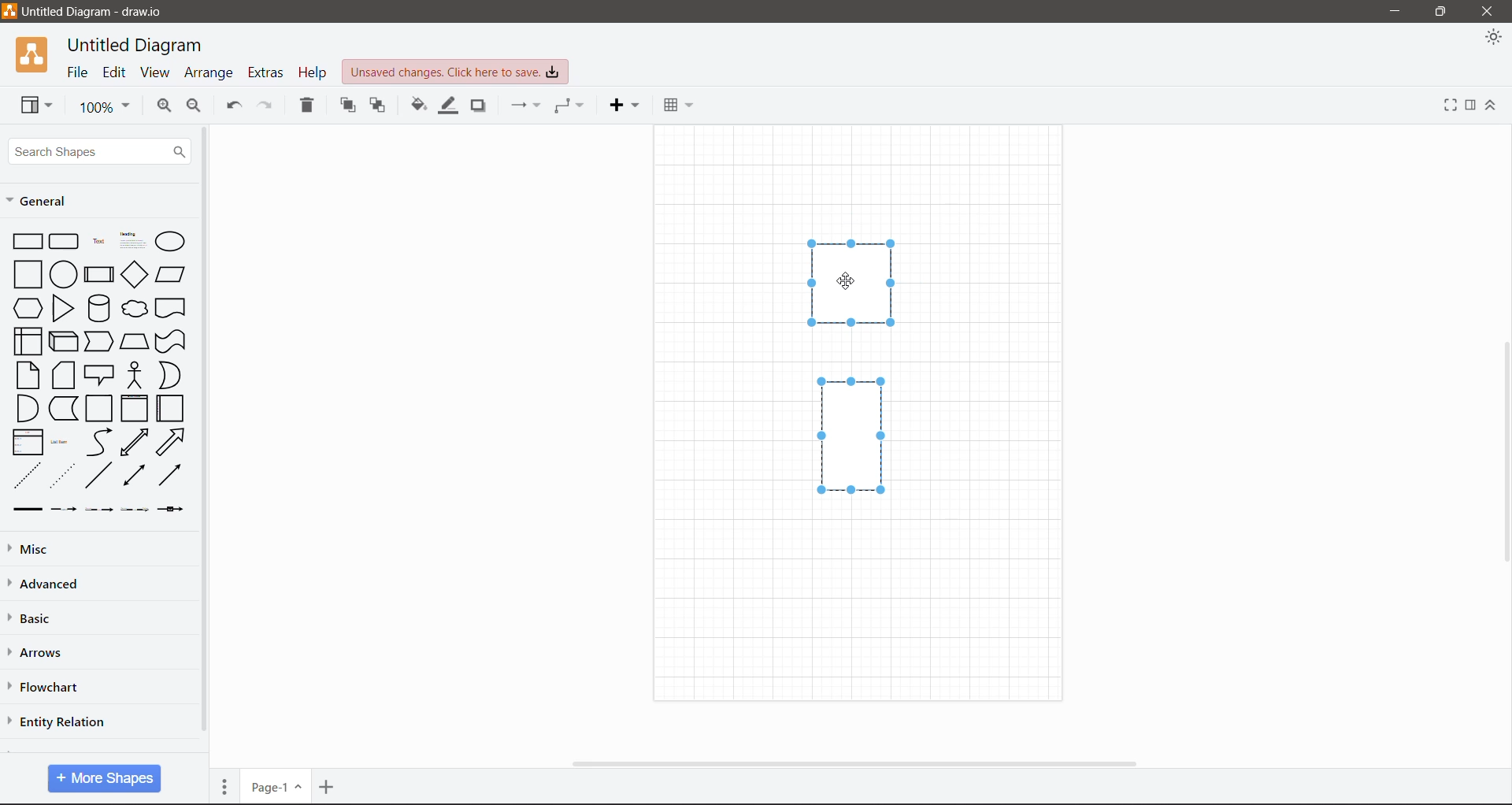 This screenshot has width=1512, height=805. Describe the element at coordinates (48, 203) in the screenshot. I see `General` at that location.